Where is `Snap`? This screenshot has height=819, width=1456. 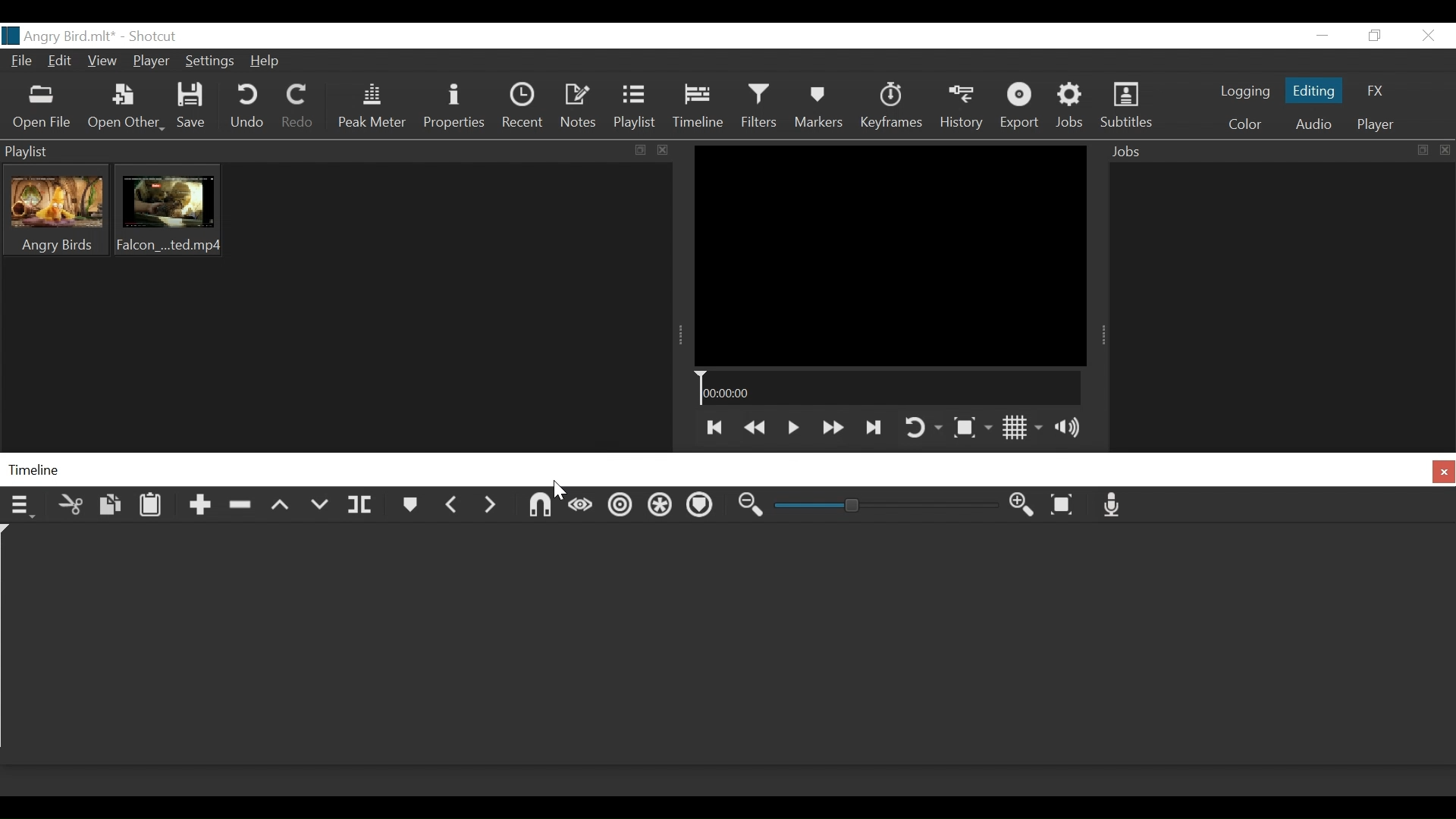 Snap is located at coordinates (541, 507).